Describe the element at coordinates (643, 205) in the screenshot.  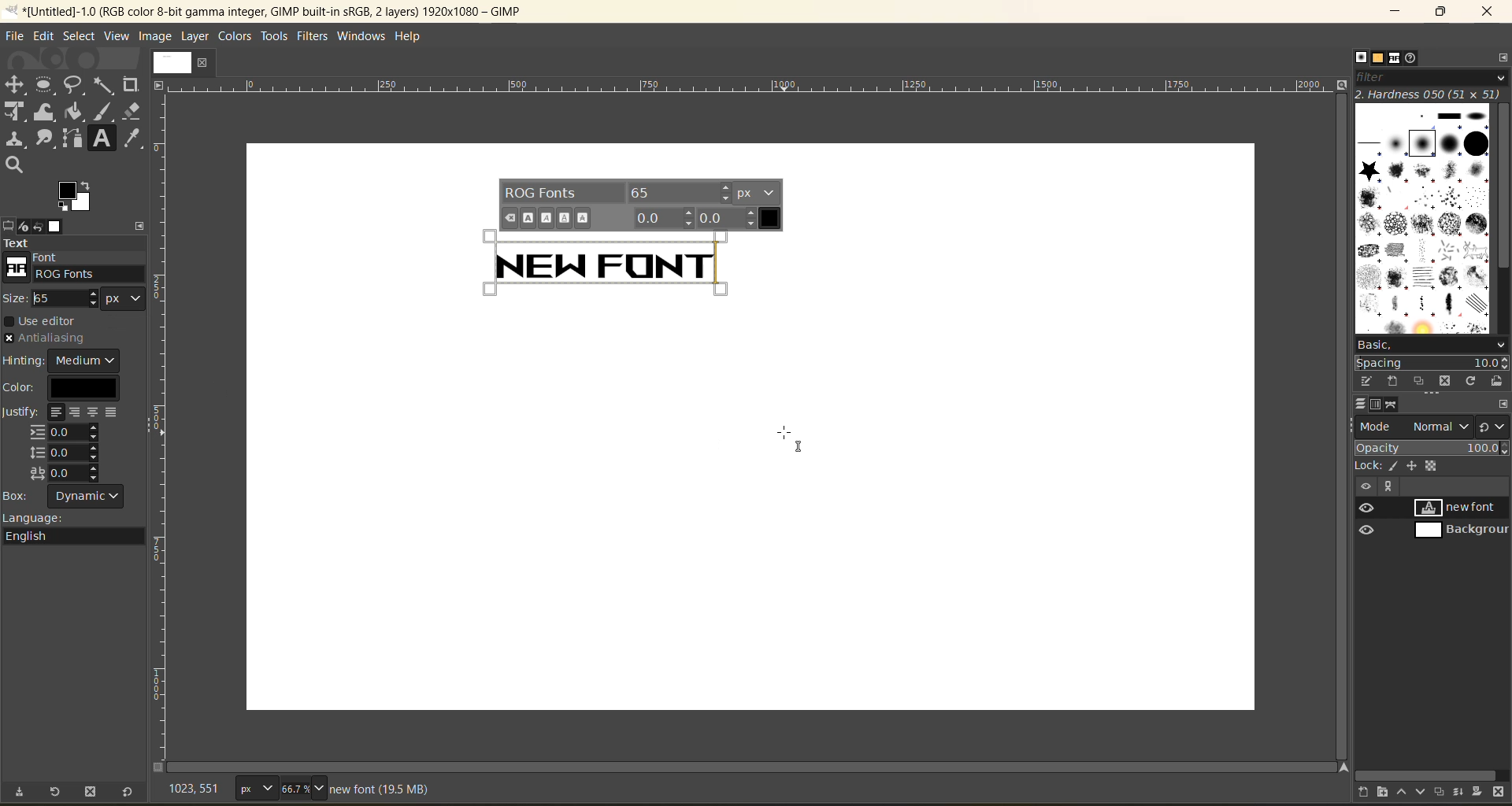
I see `text font options` at that location.